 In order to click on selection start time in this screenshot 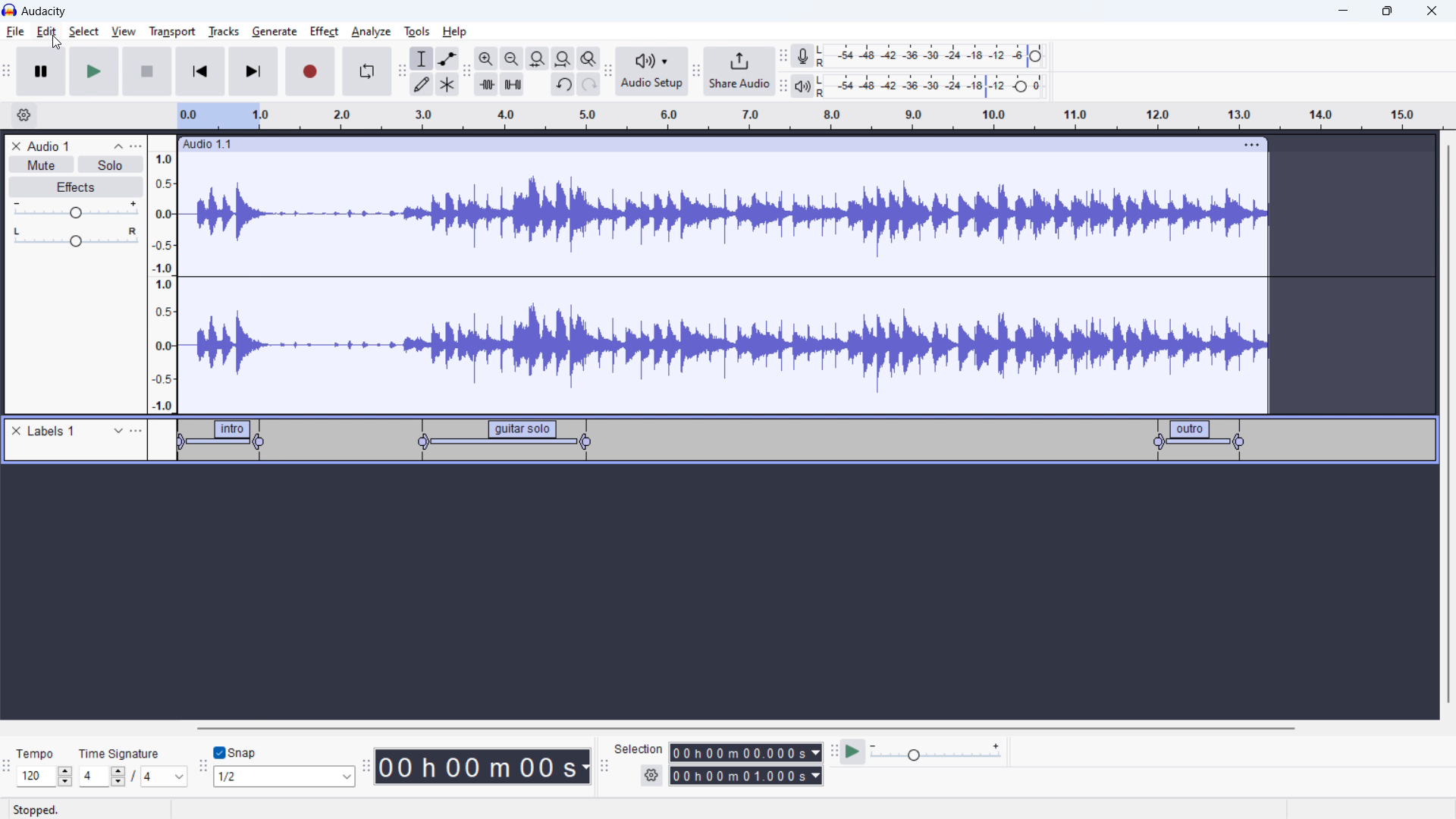, I will do `click(746, 752)`.